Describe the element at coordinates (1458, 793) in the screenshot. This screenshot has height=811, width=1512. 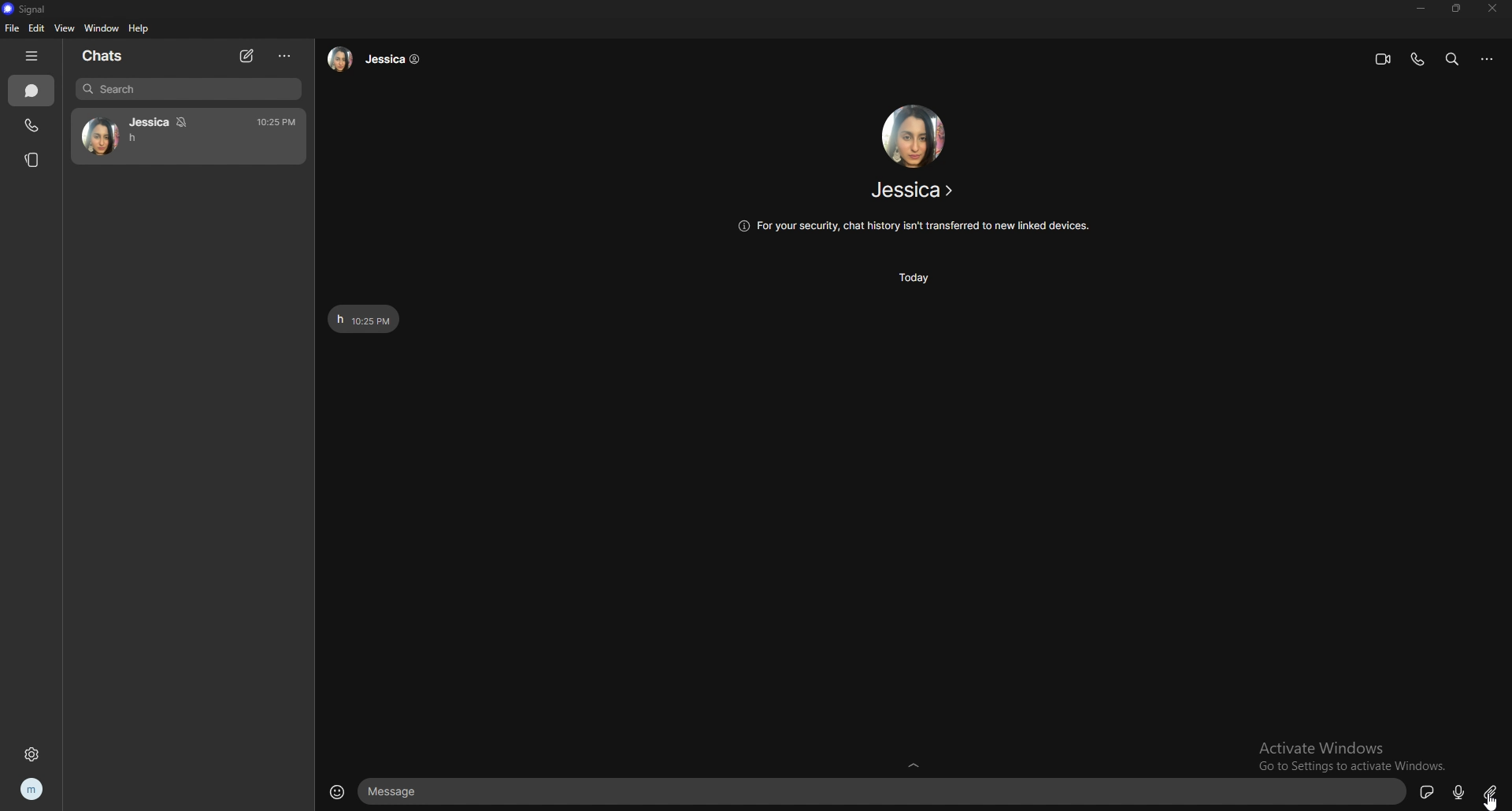
I see `voice message` at that location.